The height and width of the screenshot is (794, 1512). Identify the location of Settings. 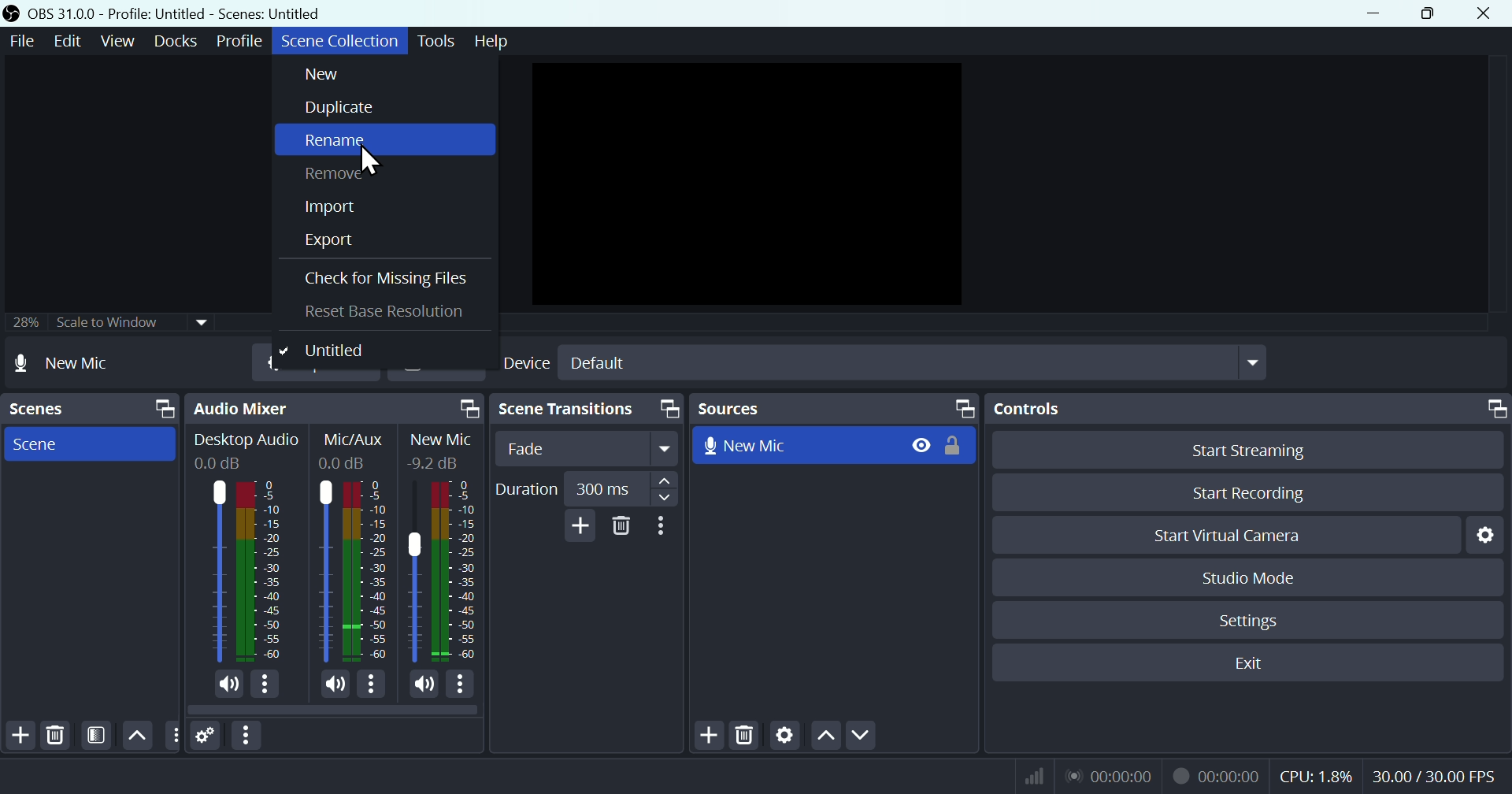
(1255, 625).